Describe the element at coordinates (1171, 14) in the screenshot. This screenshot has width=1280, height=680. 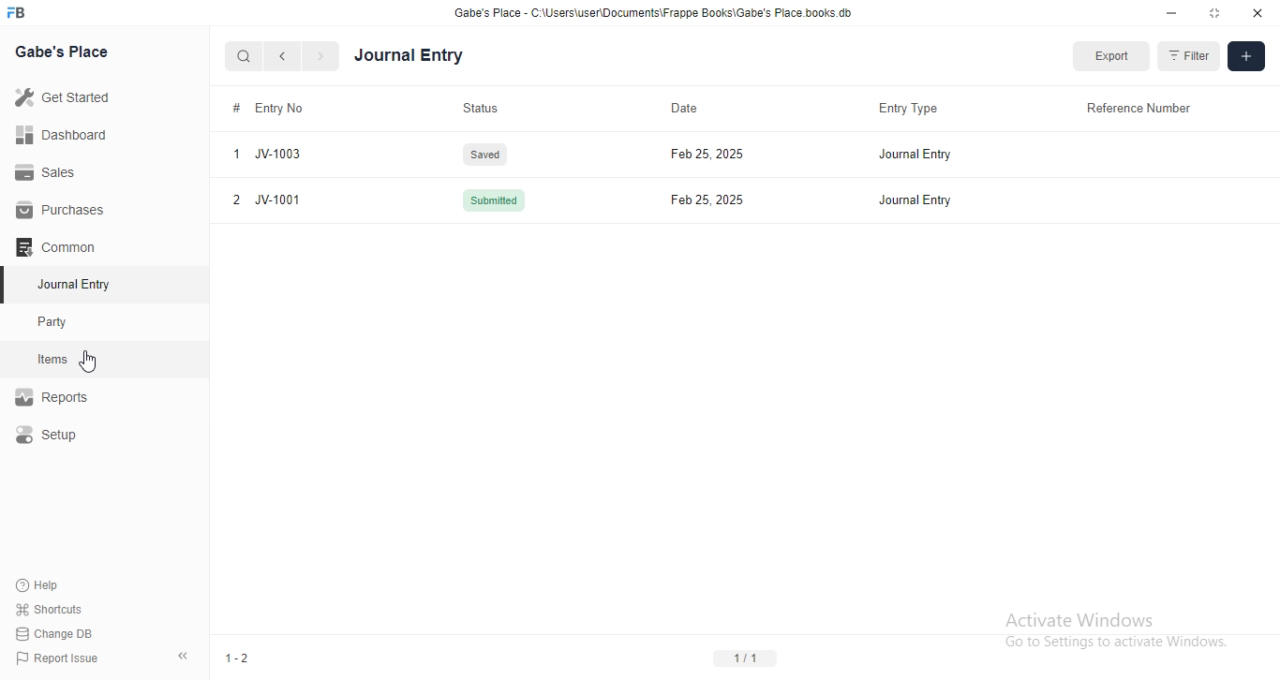
I see `minimize` at that location.